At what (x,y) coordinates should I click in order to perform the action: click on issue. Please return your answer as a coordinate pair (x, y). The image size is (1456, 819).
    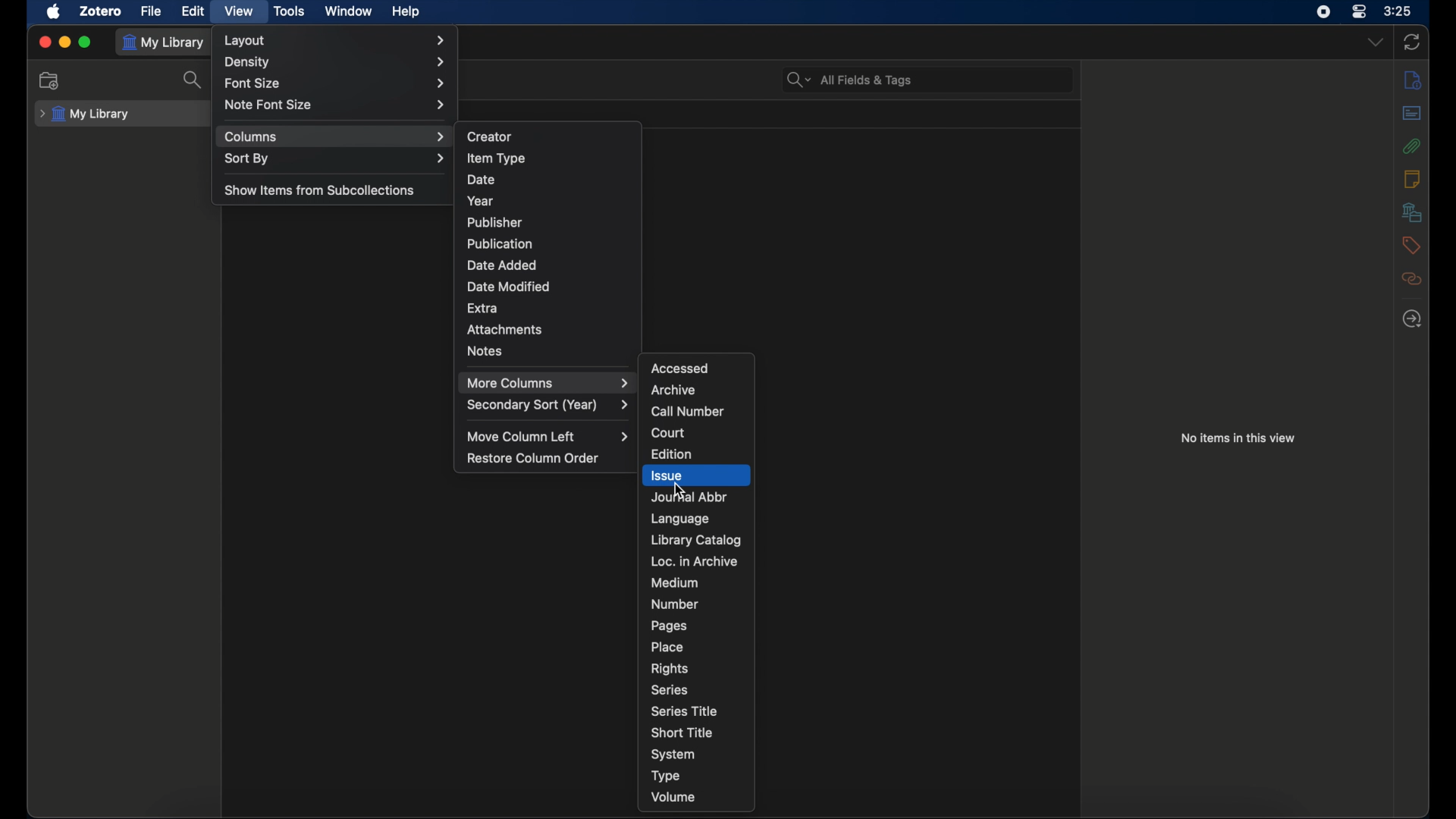
    Looking at the image, I should click on (692, 475).